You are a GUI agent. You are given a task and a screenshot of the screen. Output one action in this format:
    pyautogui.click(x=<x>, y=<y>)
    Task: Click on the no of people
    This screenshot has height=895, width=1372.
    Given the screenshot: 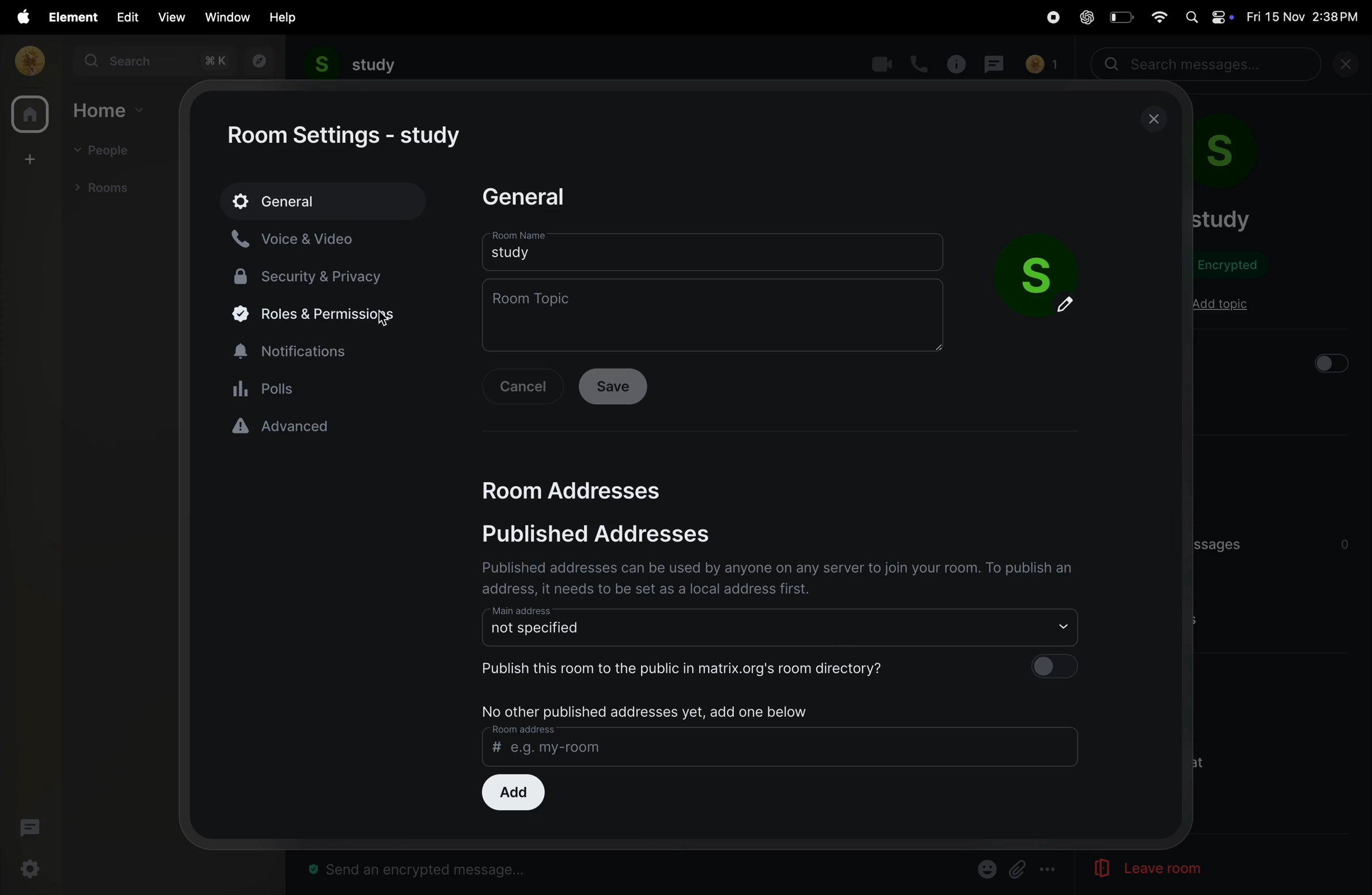 What is the action you would take?
    pyautogui.click(x=1041, y=65)
    